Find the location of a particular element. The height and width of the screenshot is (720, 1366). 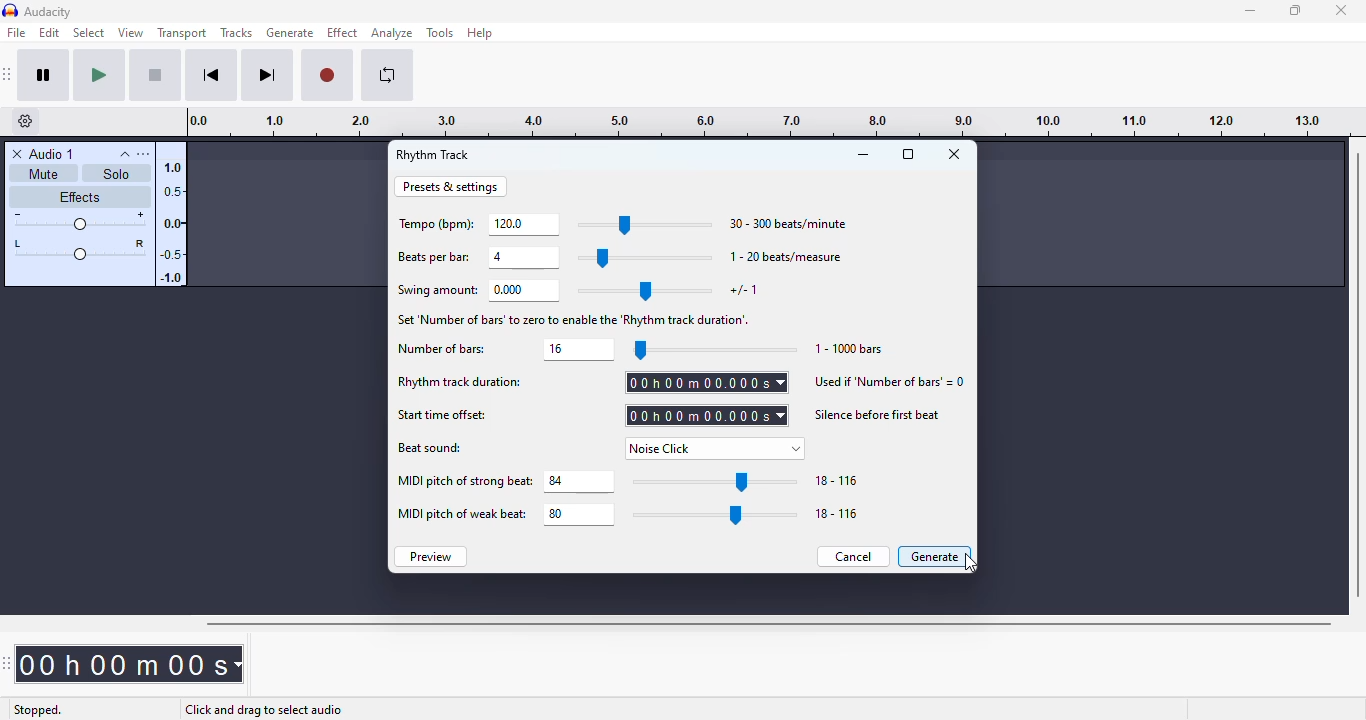

skip to end is located at coordinates (267, 76).